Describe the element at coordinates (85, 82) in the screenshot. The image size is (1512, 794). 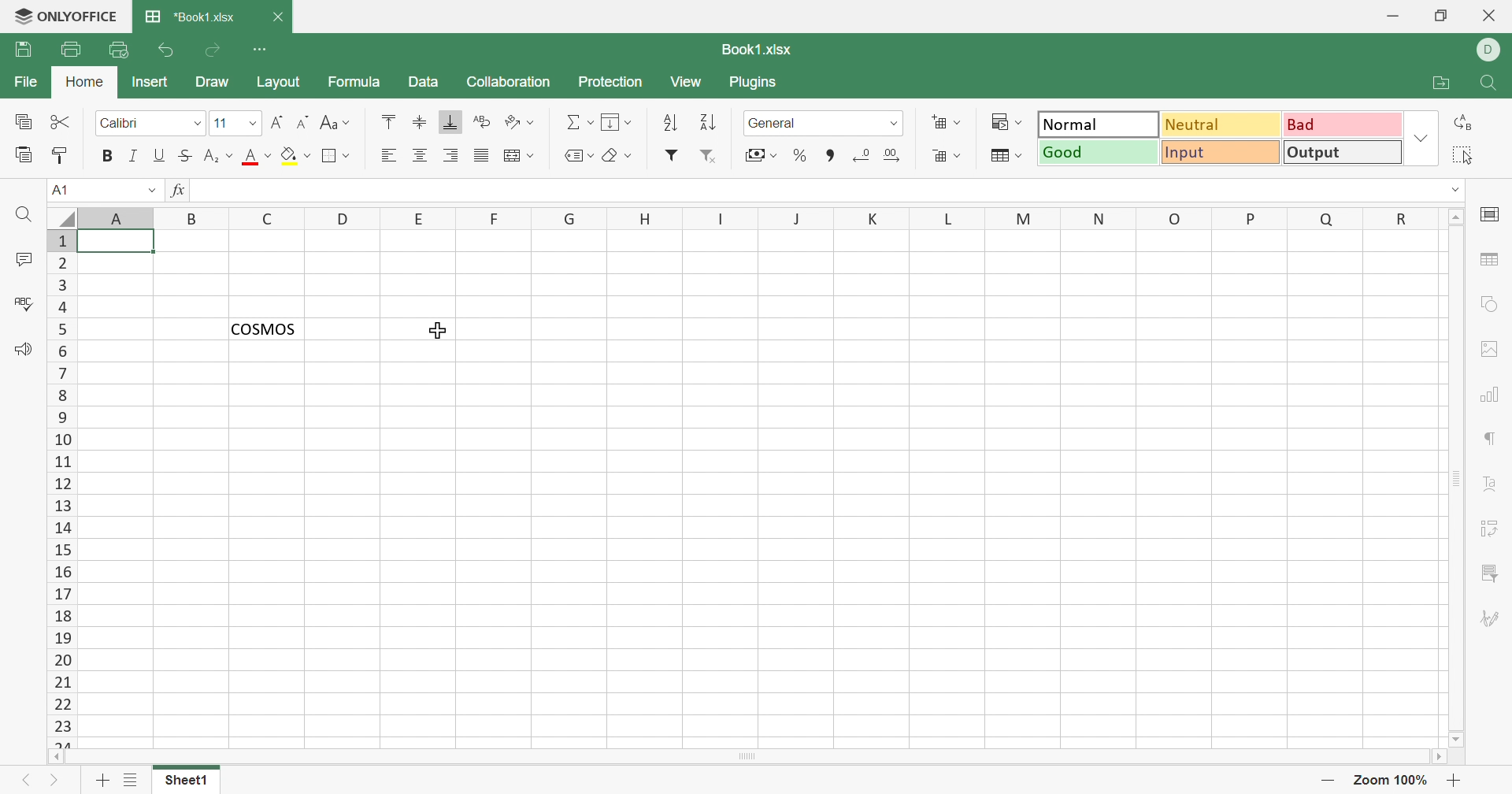
I see `Home` at that location.